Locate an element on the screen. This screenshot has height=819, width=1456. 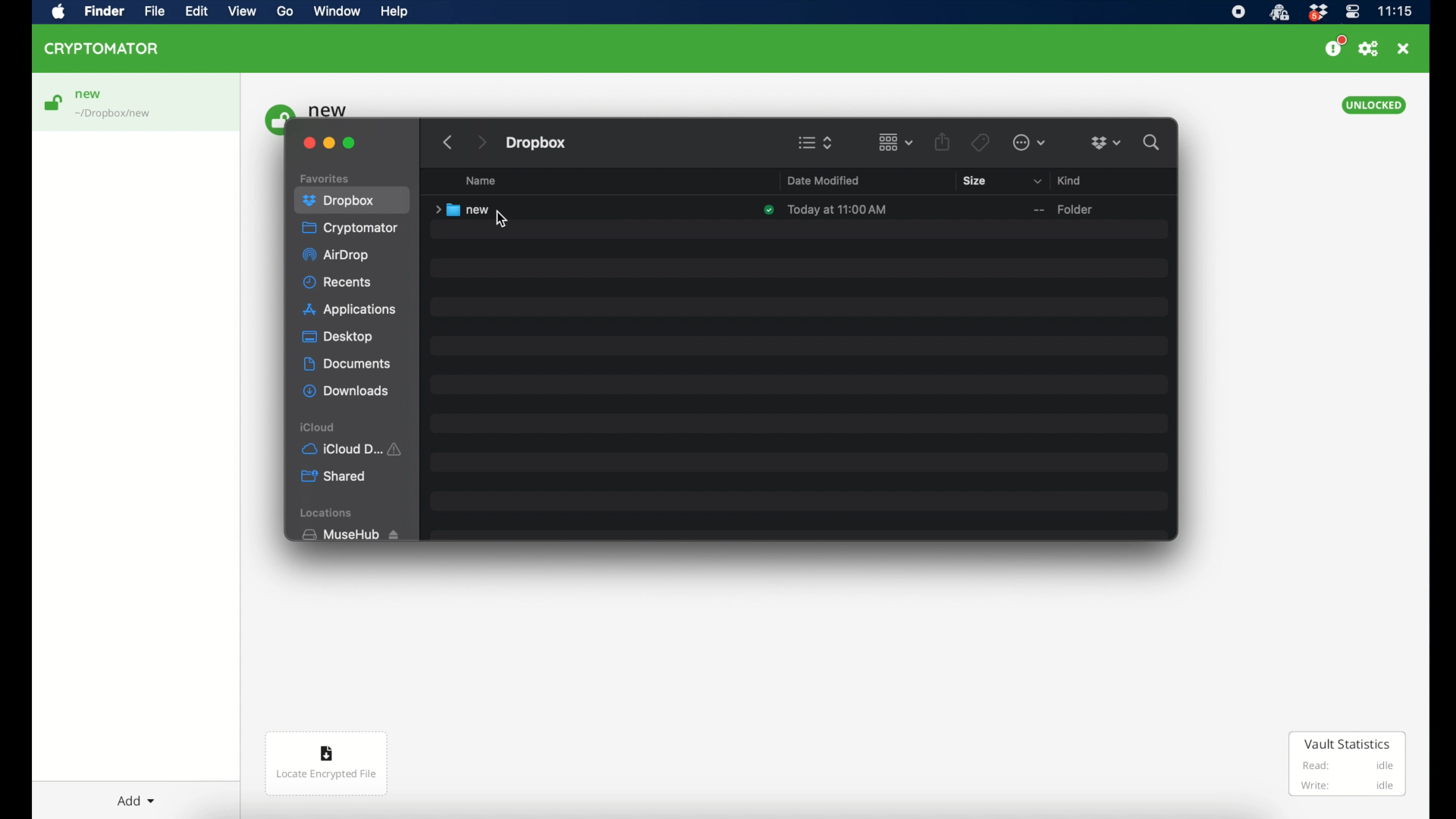
kind is located at coordinates (1057, 180).